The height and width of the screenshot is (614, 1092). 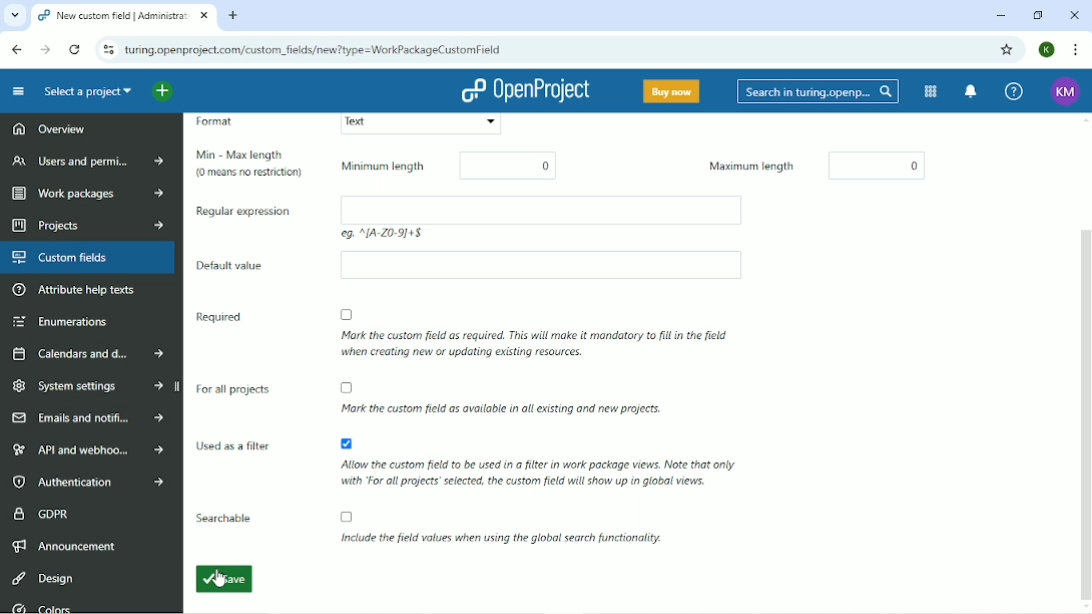 What do you see at coordinates (125, 17) in the screenshot?
I see `New custom field | Administration` at bounding box center [125, 17].